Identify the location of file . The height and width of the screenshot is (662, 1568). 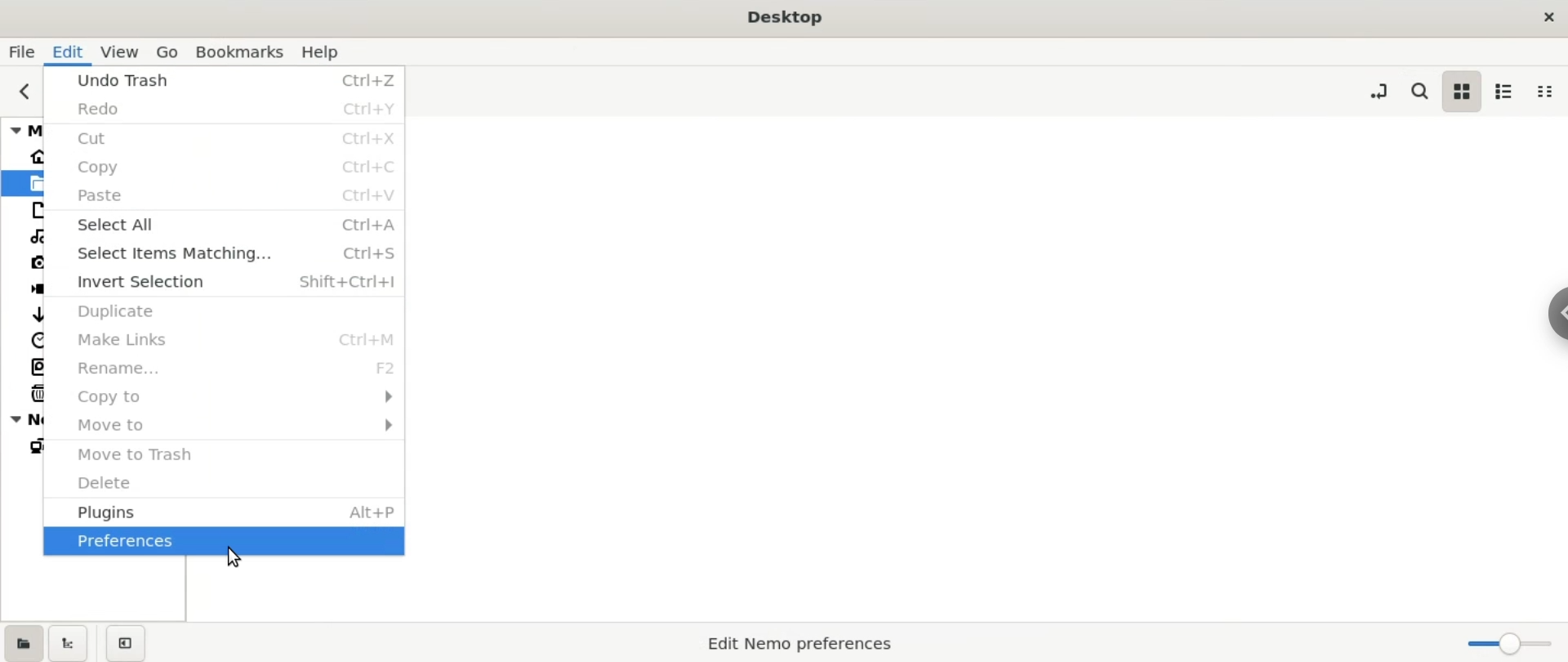
(22, 52).